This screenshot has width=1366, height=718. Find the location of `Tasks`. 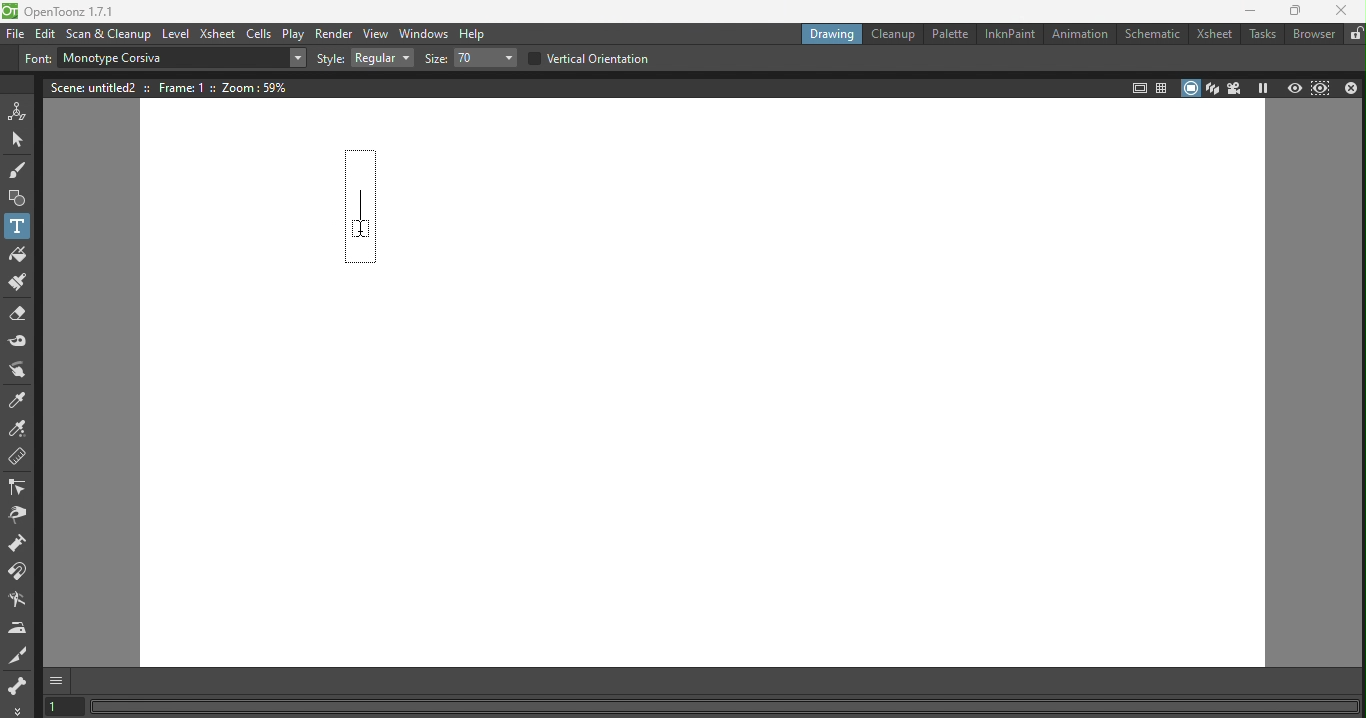

Tasks is located at coordinates (1263, 35).